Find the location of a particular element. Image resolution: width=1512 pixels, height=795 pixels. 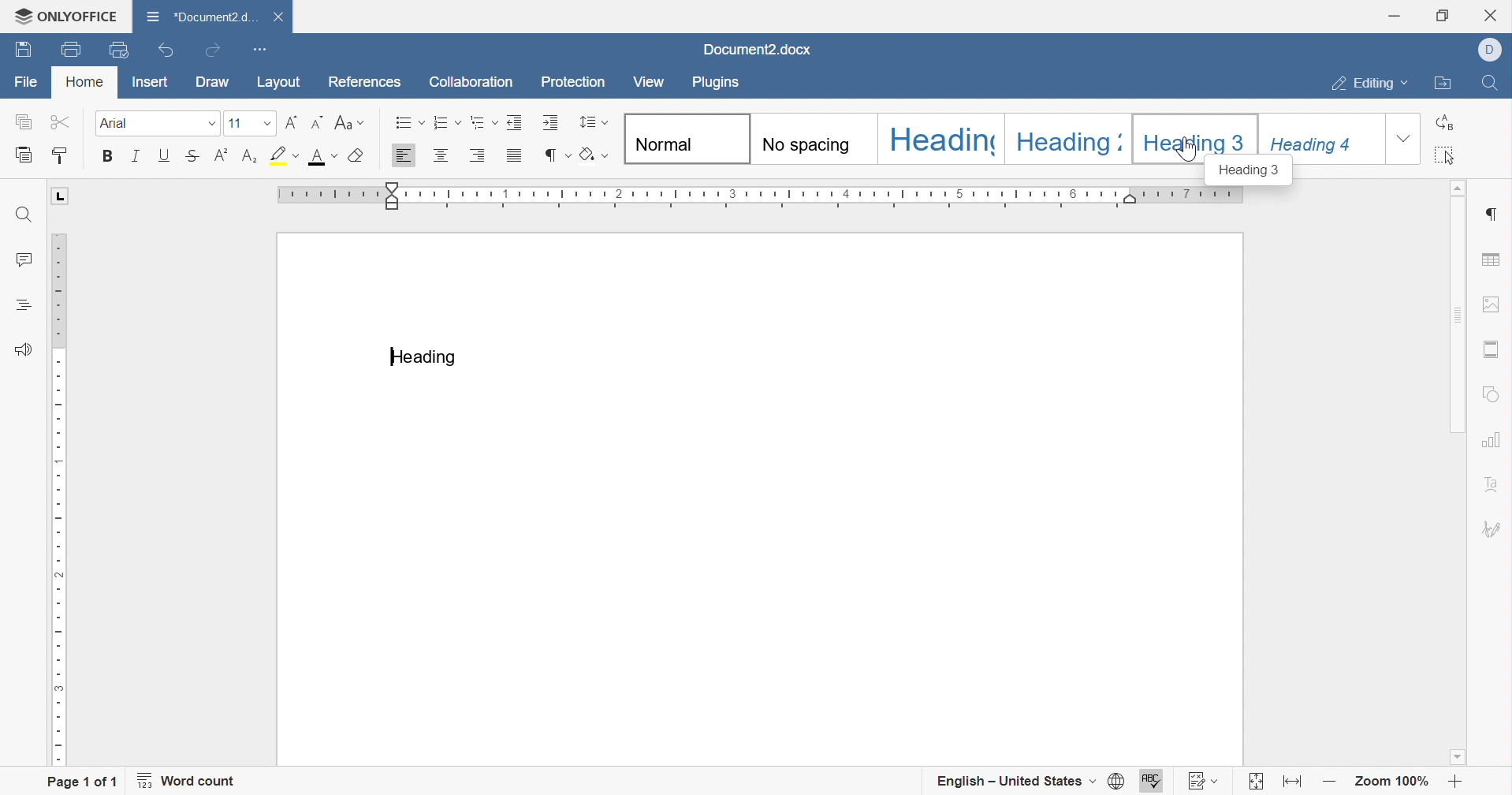

Align Left is located at coordinates (405, 158).